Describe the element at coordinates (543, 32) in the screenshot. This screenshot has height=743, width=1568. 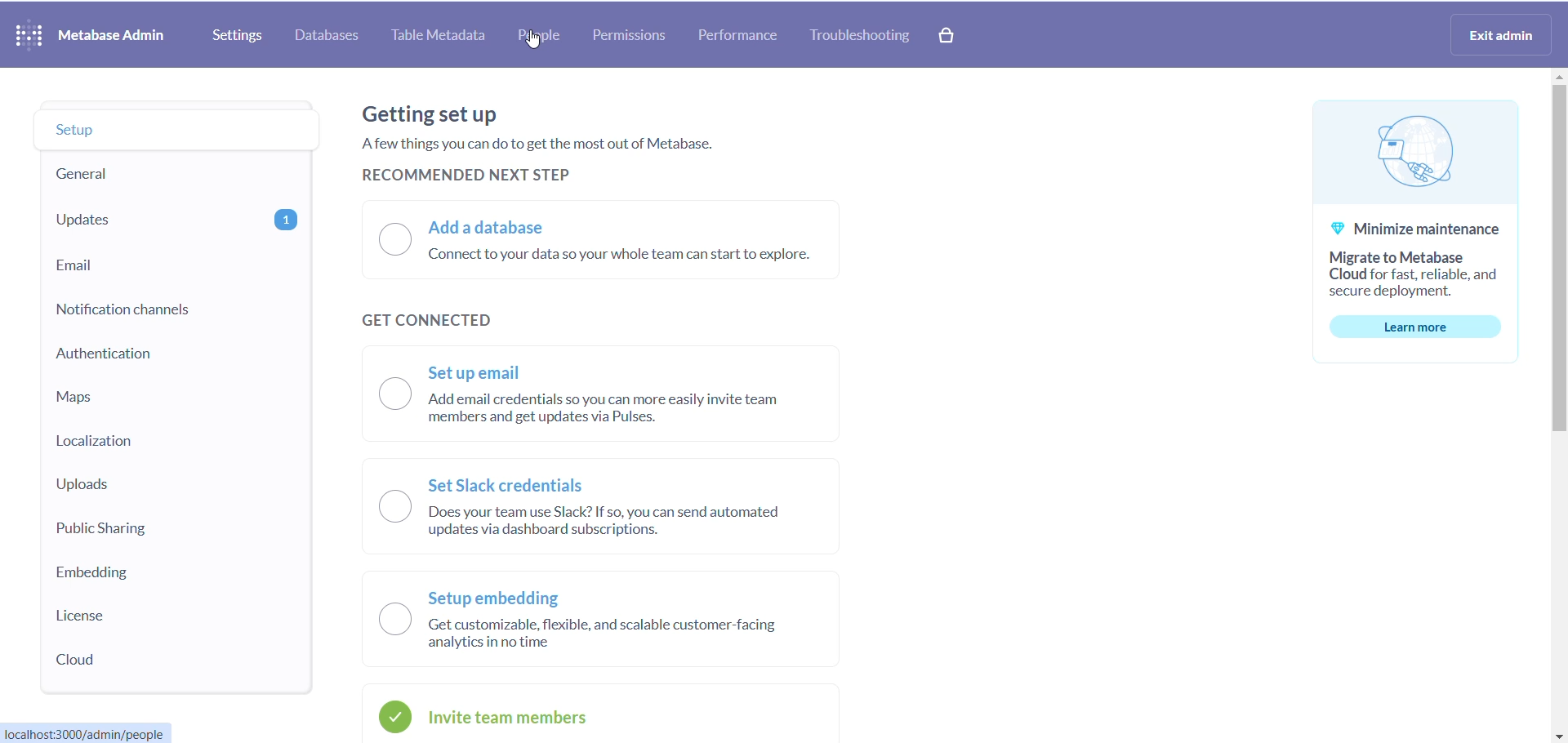
I see `people` at that location.